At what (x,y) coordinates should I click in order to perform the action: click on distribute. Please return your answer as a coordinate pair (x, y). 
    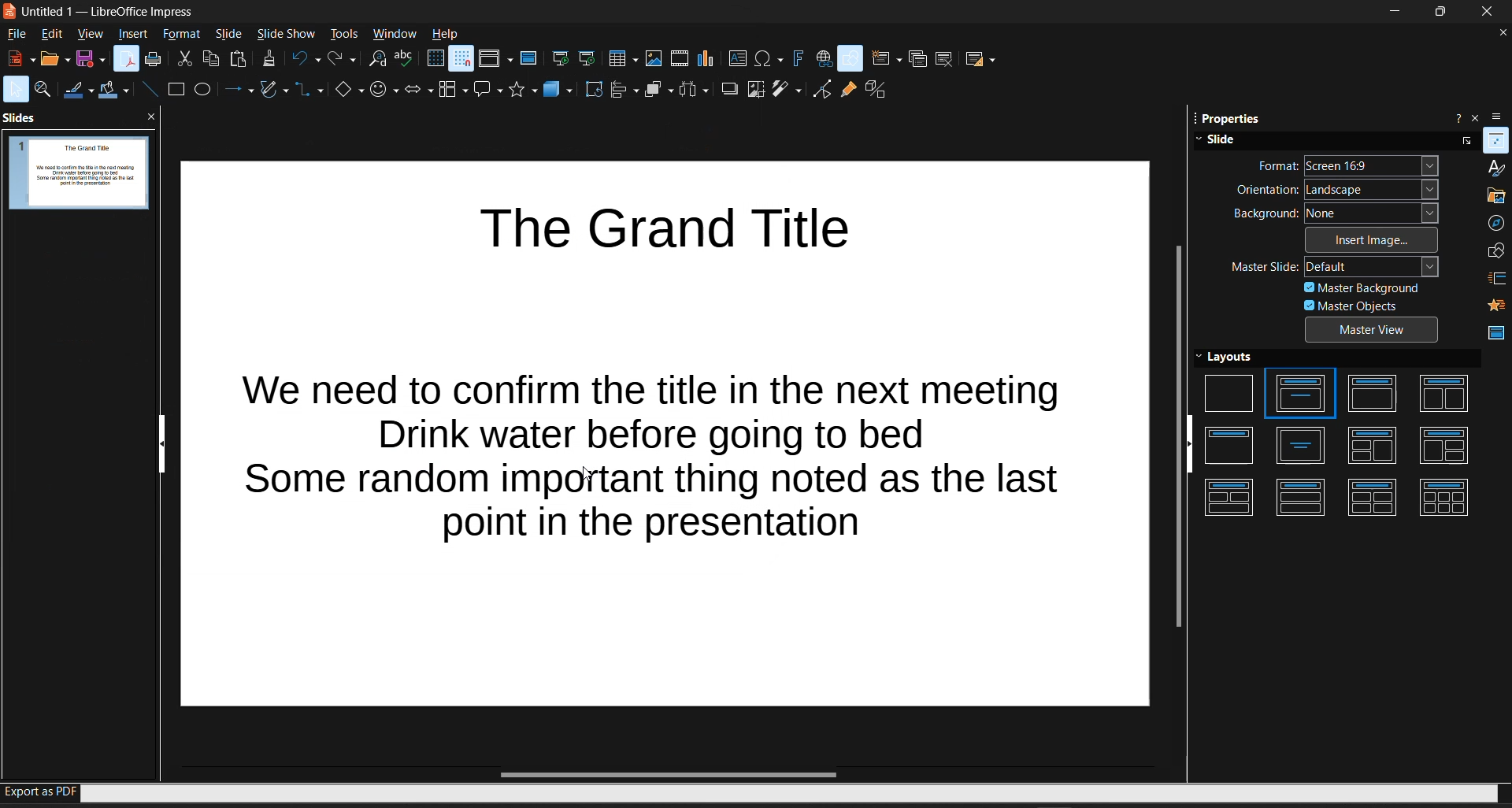
    Looking at the image, I should click on (695, 89).